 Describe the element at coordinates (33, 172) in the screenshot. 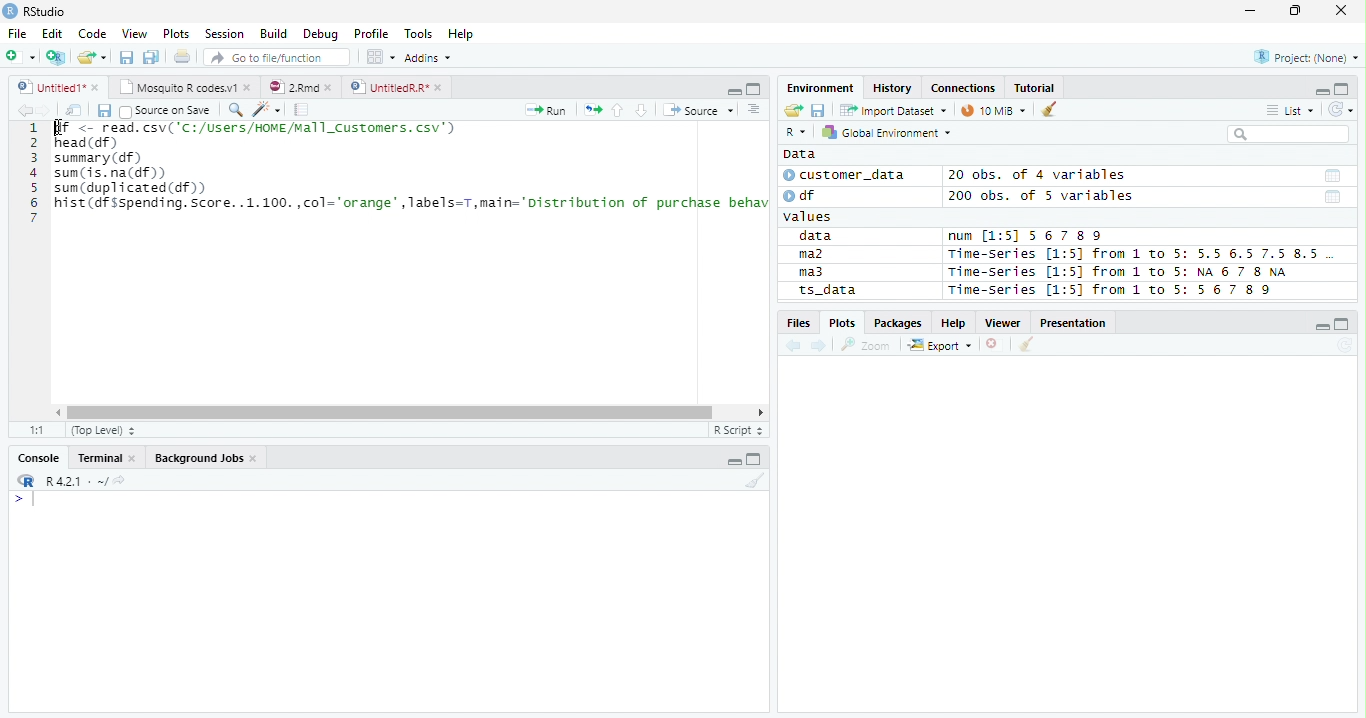

I see `Row Number` at that location.